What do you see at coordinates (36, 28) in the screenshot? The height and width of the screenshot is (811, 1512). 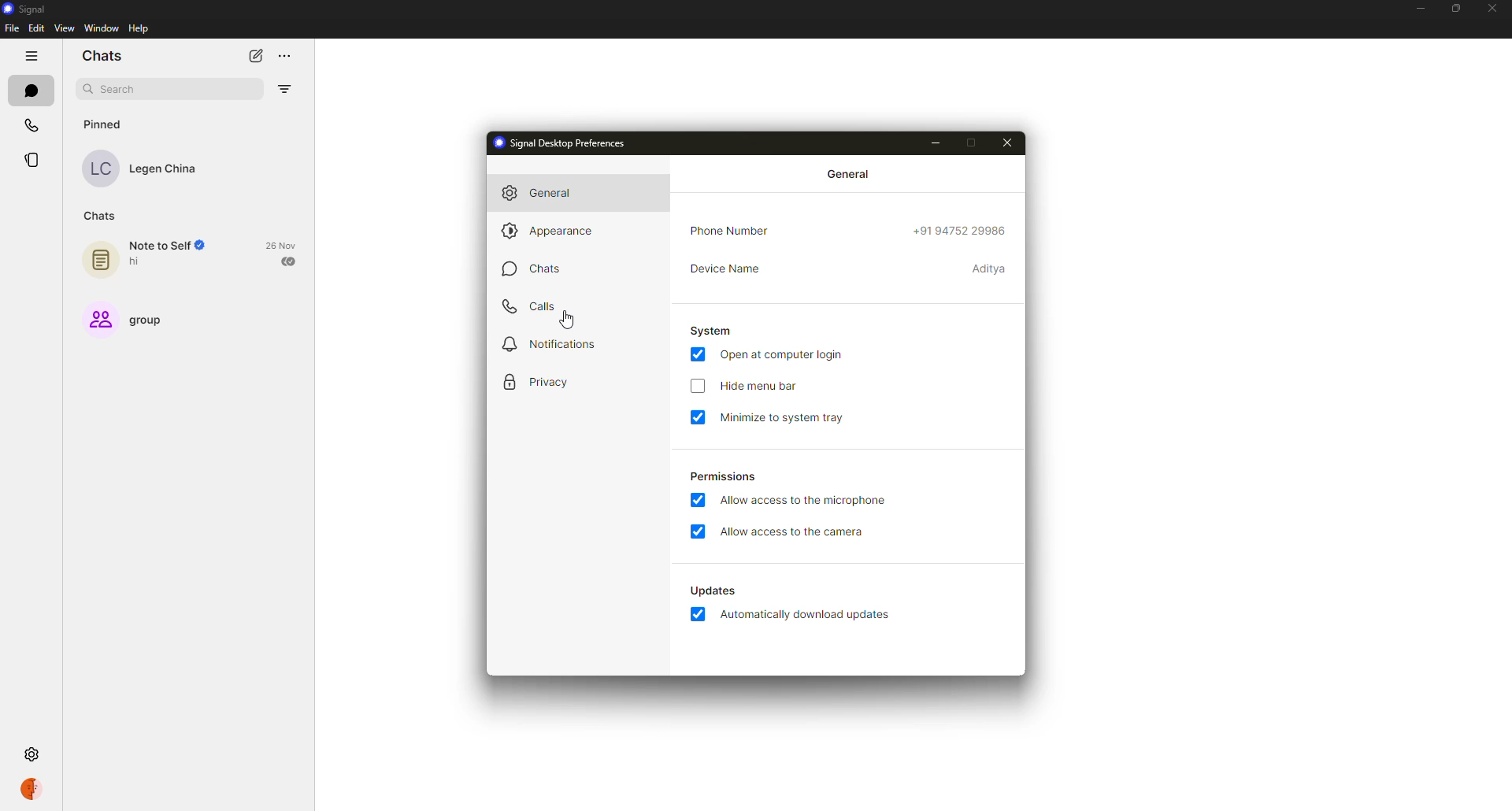 I see `edit` at bounding box center [36, 28].